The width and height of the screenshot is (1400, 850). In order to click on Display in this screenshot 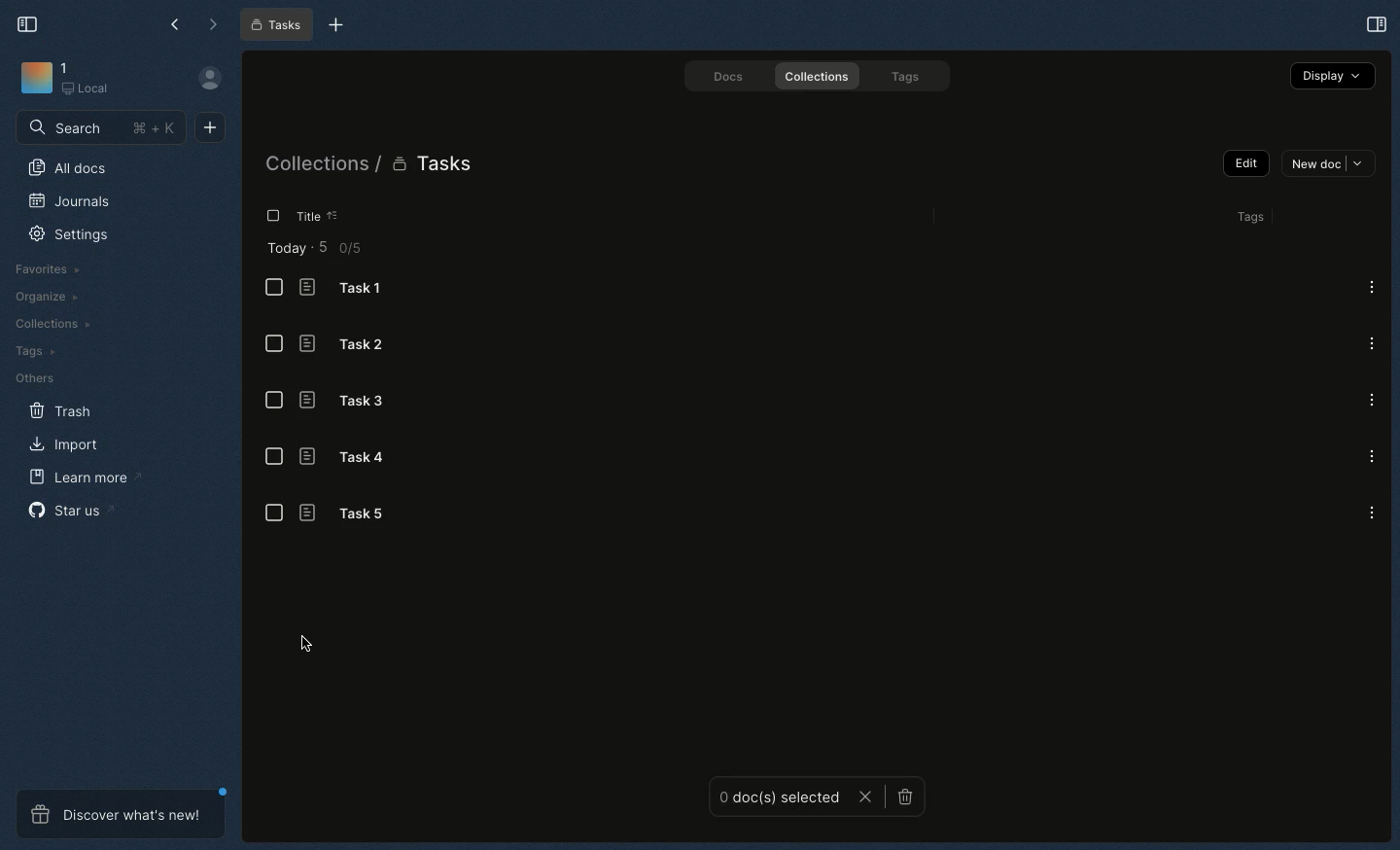, I will do `click(1333, 76)`.